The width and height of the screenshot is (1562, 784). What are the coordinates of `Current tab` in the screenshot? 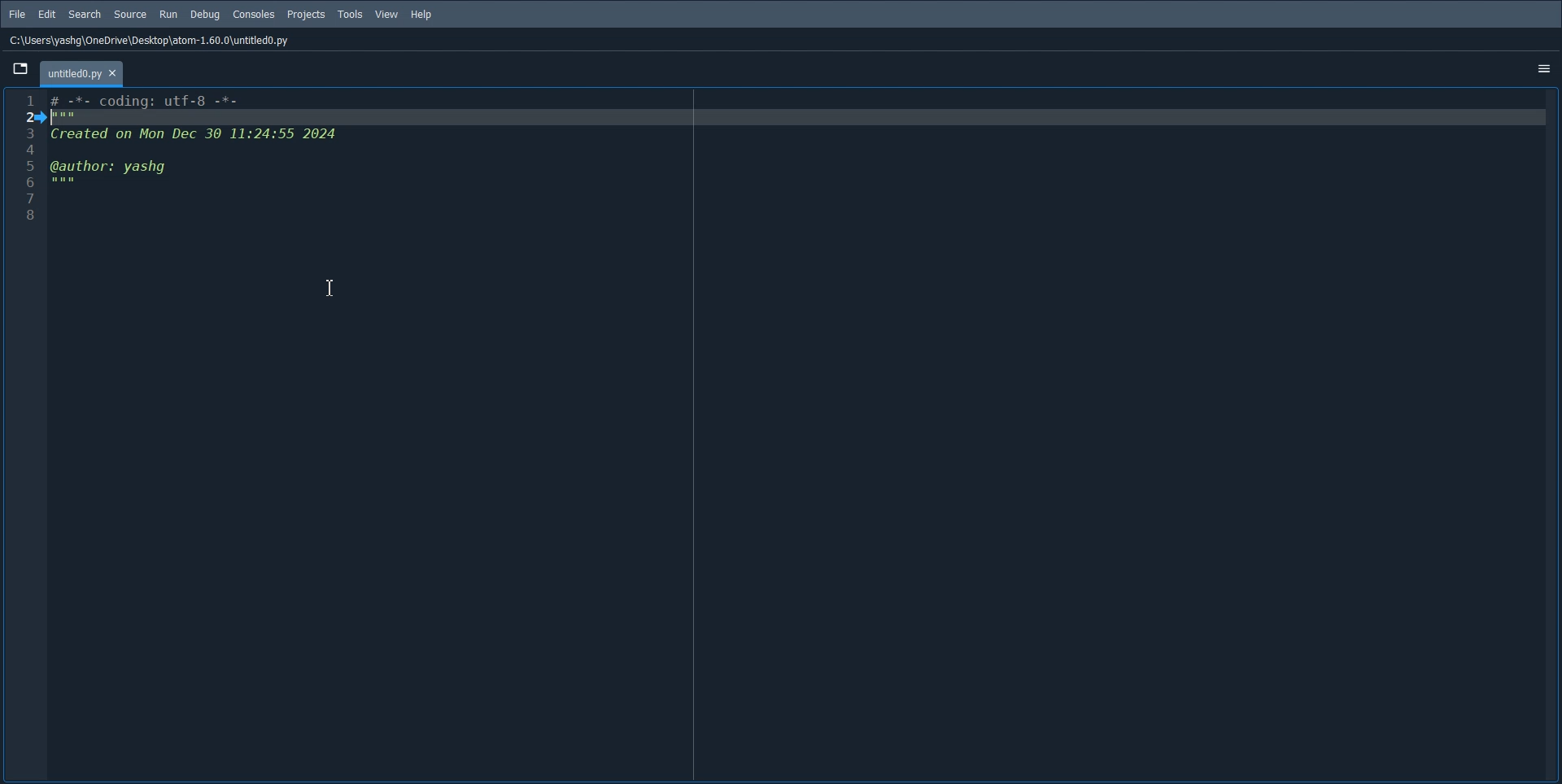 It's located at (85, 73).